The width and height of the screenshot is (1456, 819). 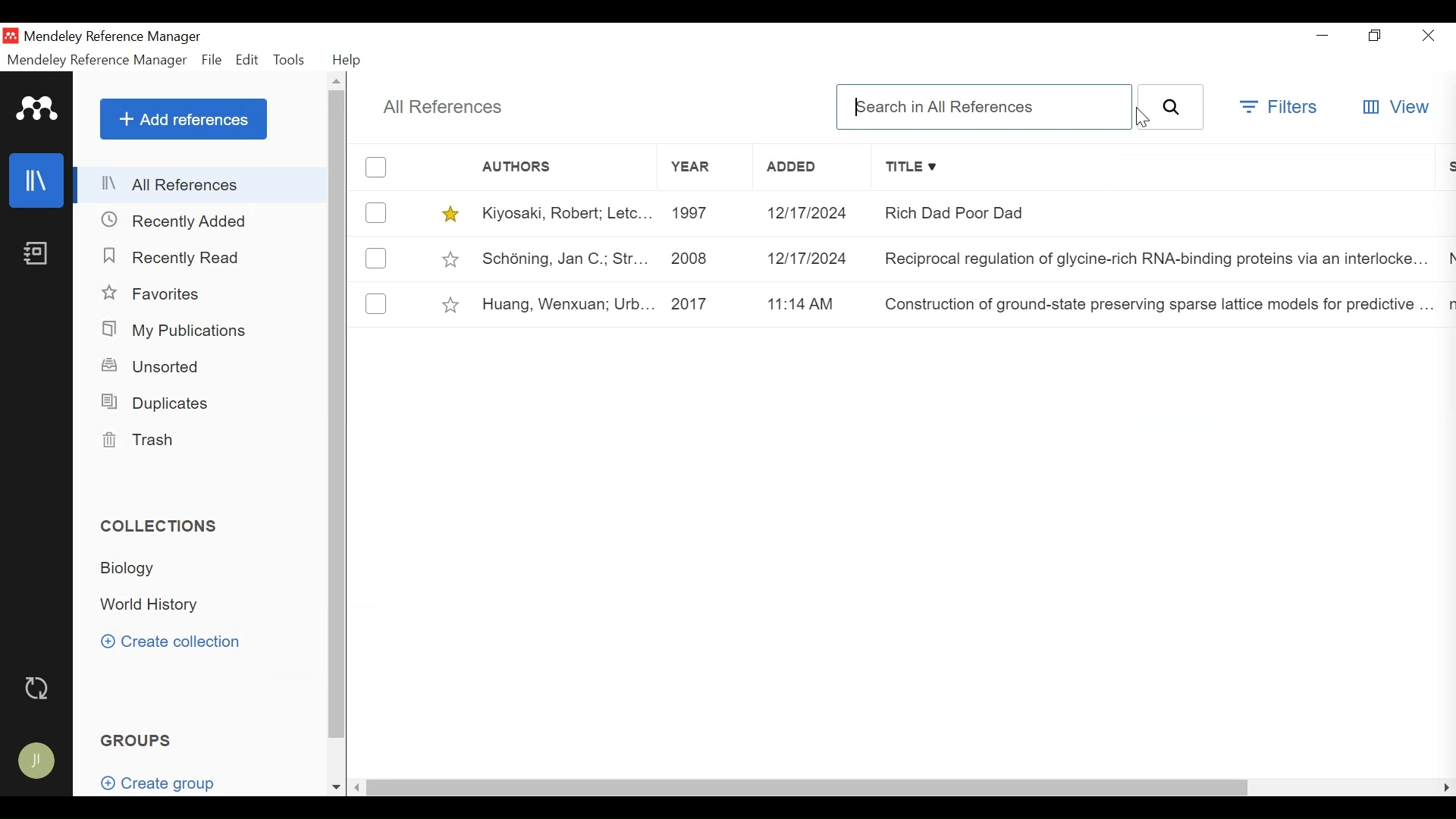 What do you see at coordinates (1277, 106) in the screenshot?
I see `Filter` at bounding box center [1277, 106].